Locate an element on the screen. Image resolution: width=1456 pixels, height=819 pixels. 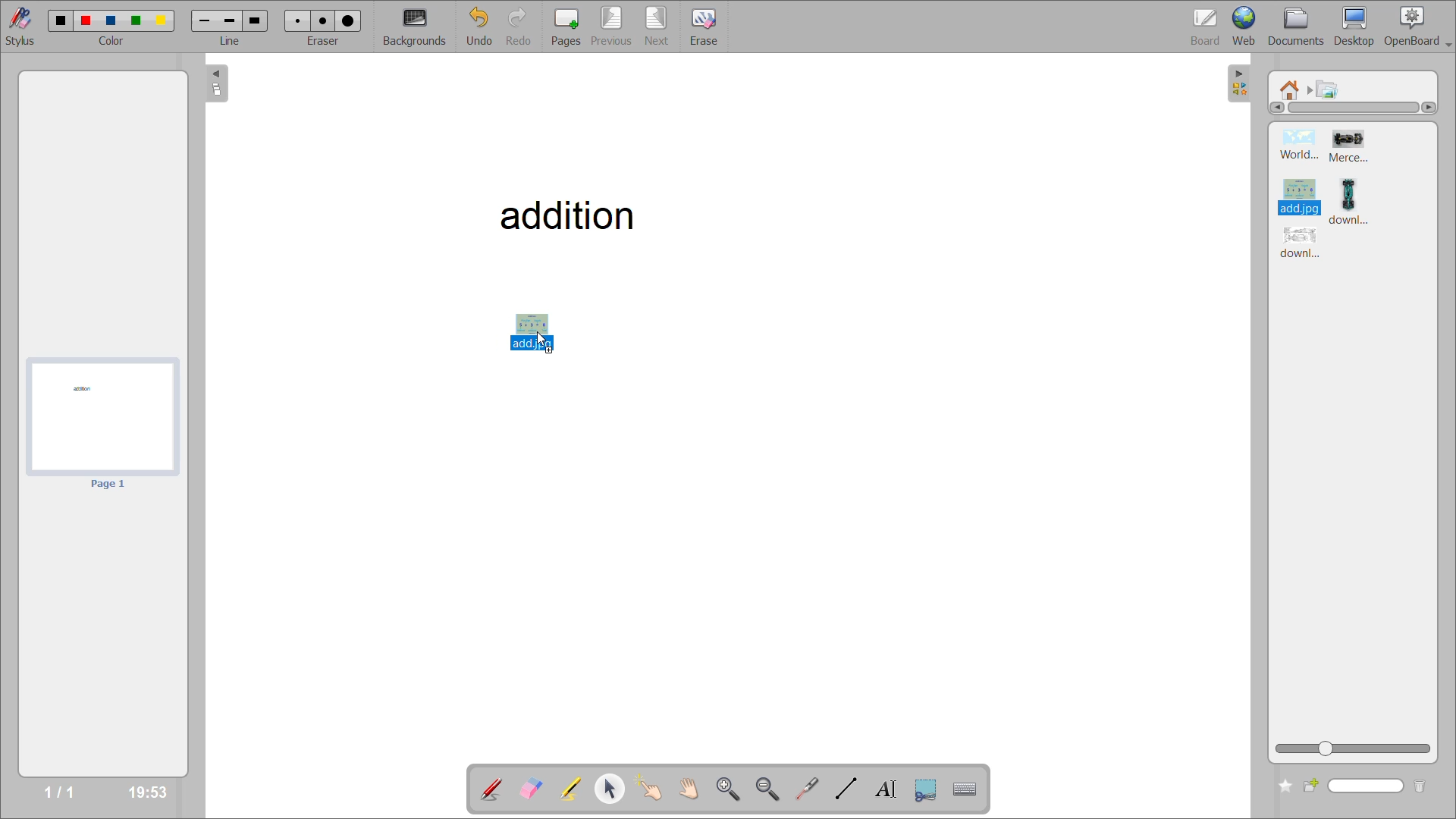
image 5 is located at coordinates (1302, 245).